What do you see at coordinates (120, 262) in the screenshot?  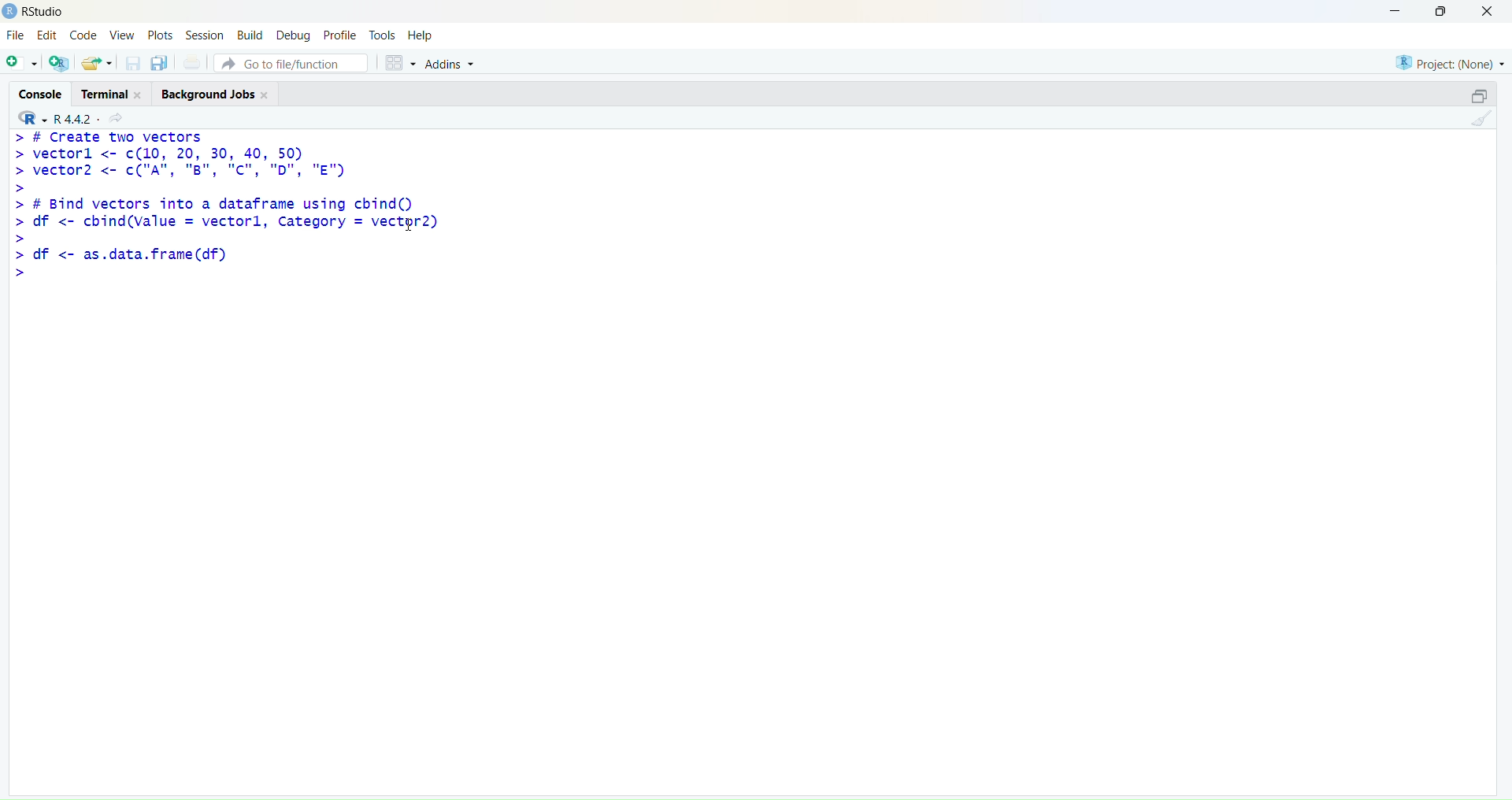 I see `df <- as.data.frame(df)` at bounding box center [120, 262].